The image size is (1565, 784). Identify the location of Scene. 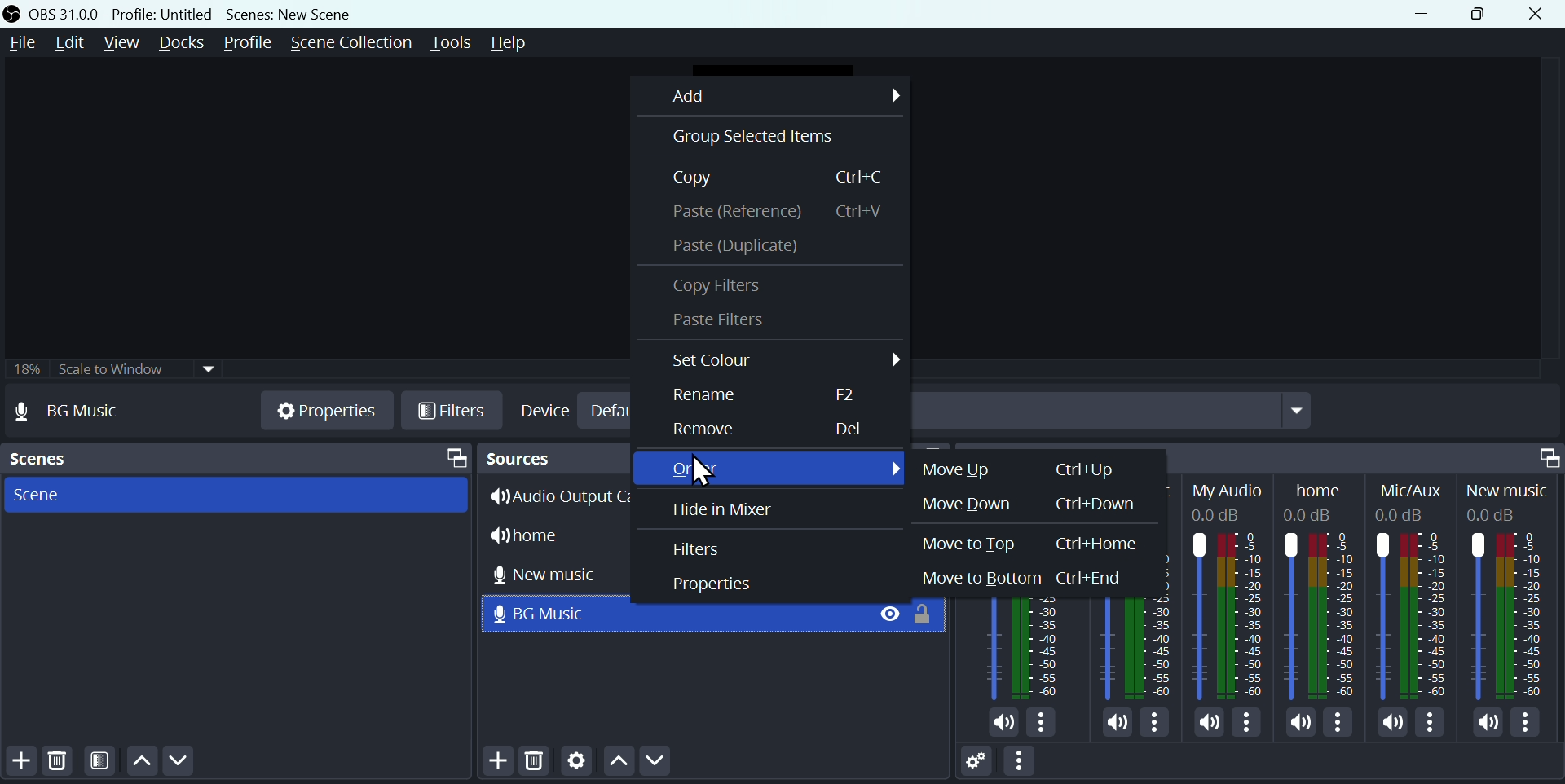
(36, 496).